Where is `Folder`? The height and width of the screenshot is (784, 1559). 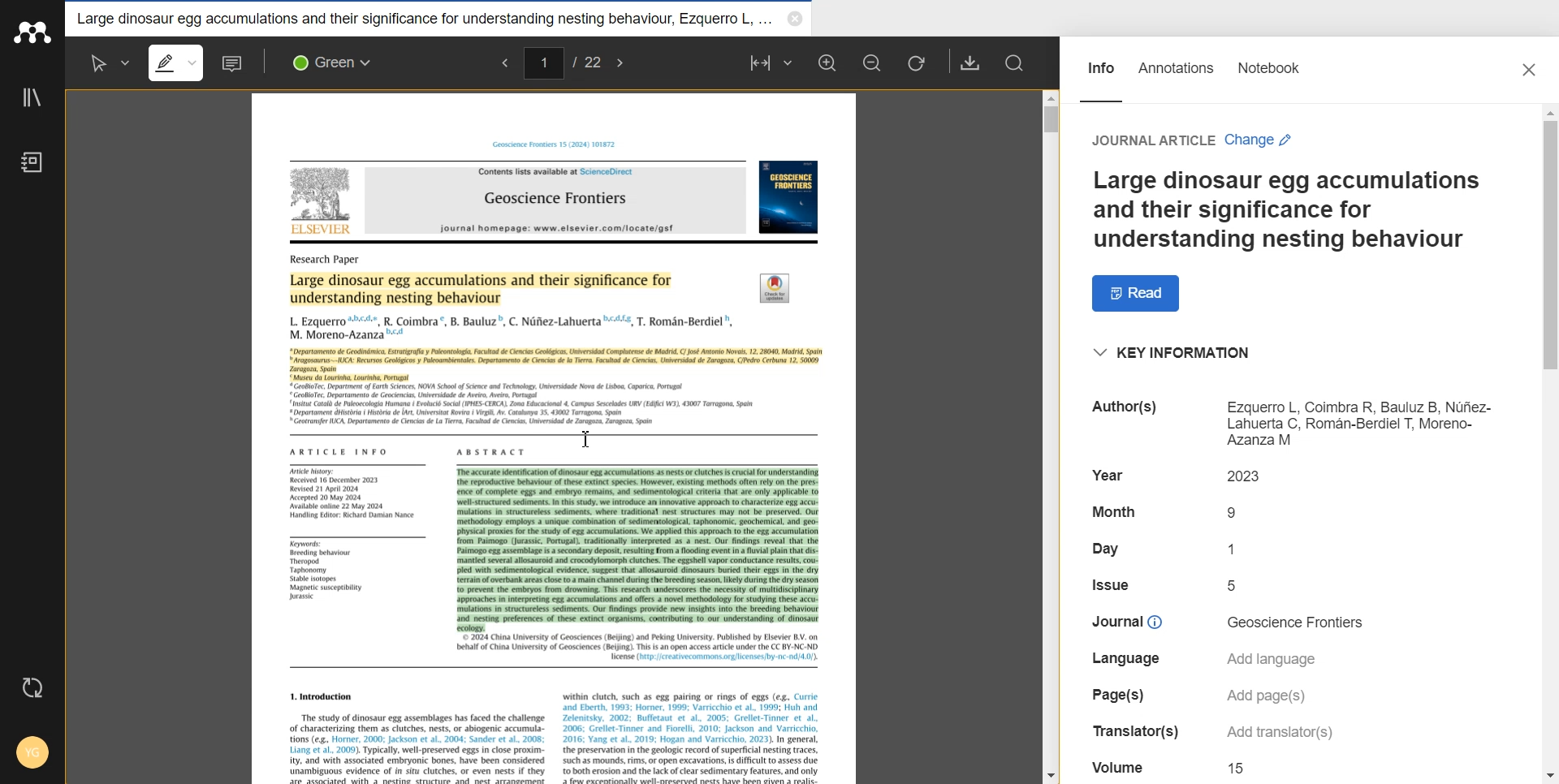 Folder is located at coordinates (423, 19).